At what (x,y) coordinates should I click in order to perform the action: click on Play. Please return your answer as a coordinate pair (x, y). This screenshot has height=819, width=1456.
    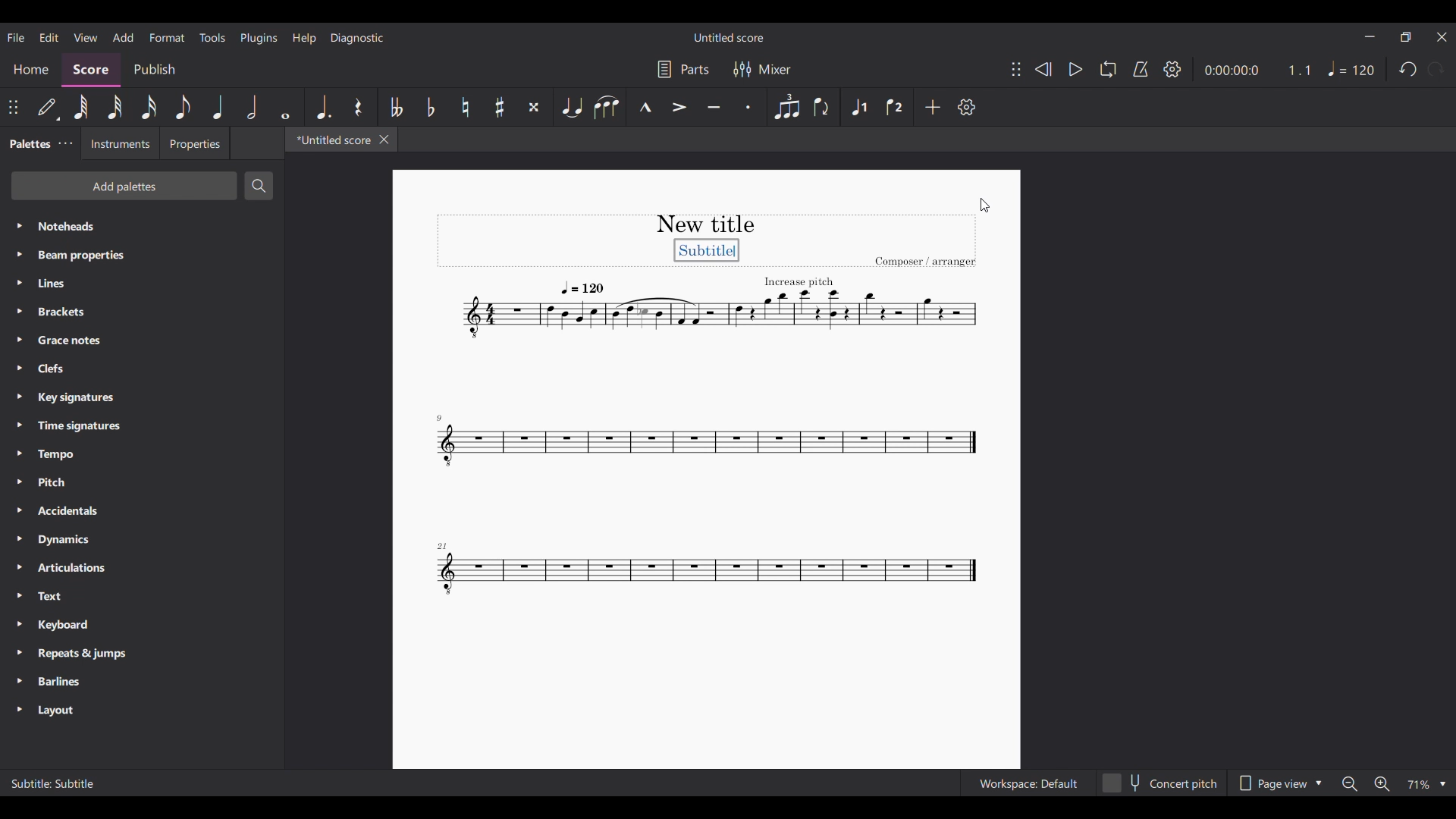
    Looking at the image, I should click on (1075, 69).